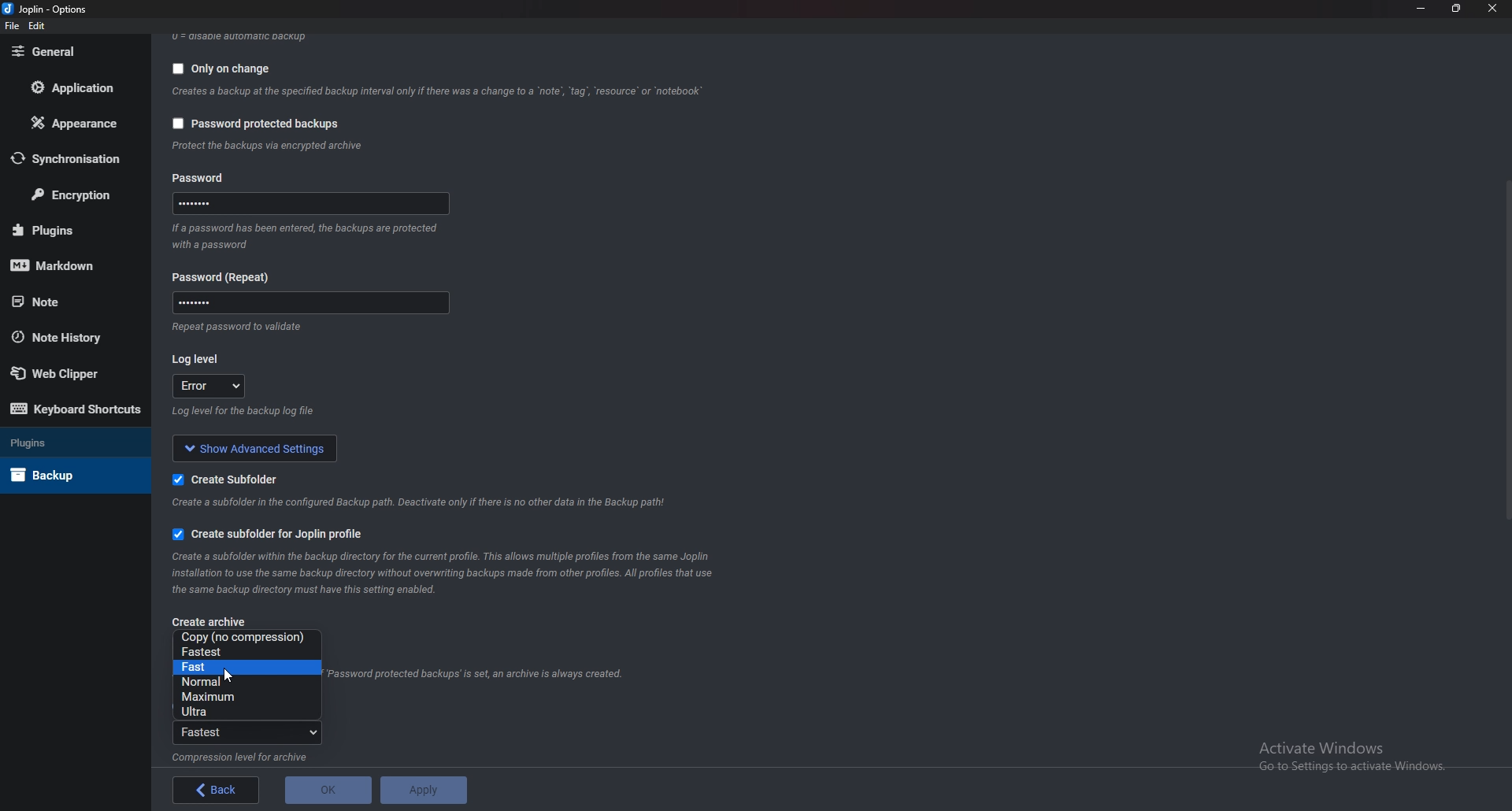  I want to click on Fastest, so click(240, 652).